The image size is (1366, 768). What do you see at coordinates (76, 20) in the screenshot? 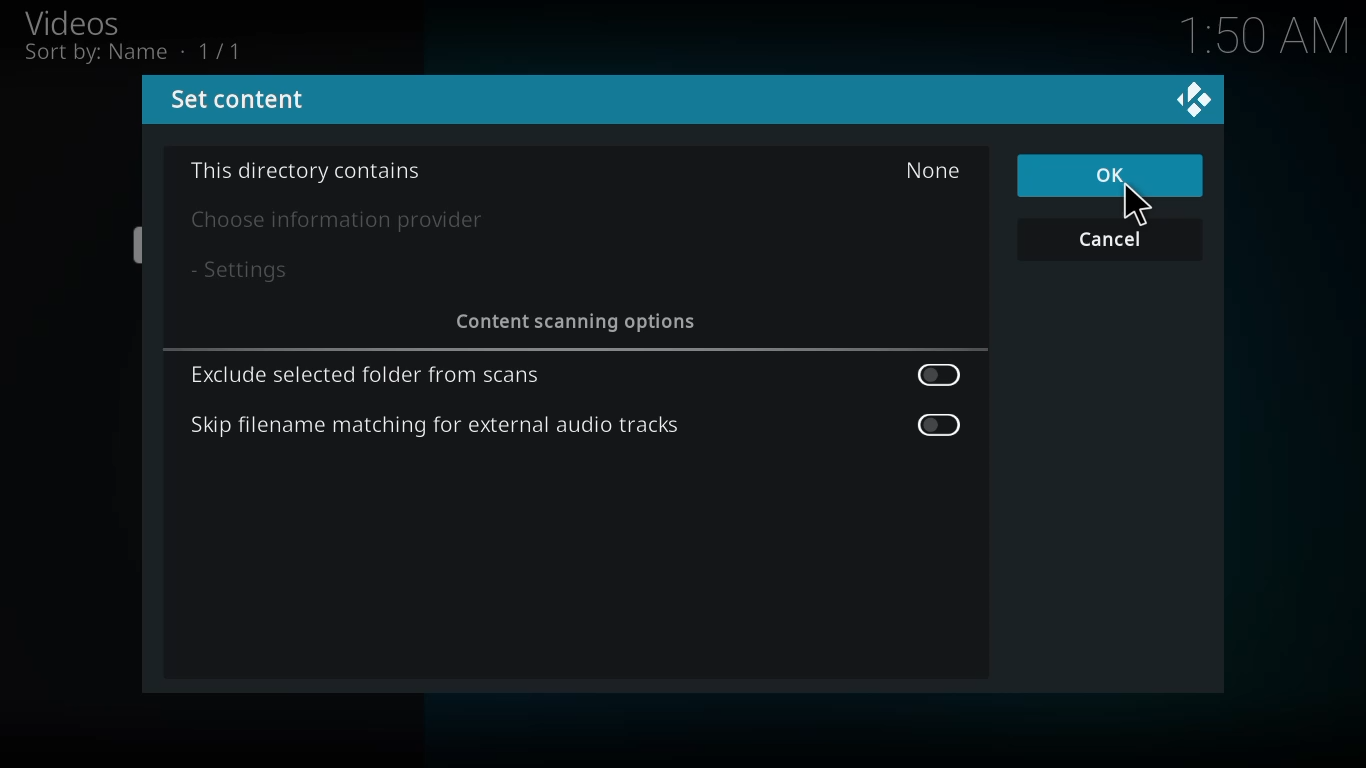
I see `videos` at bounding box center [76, 20].